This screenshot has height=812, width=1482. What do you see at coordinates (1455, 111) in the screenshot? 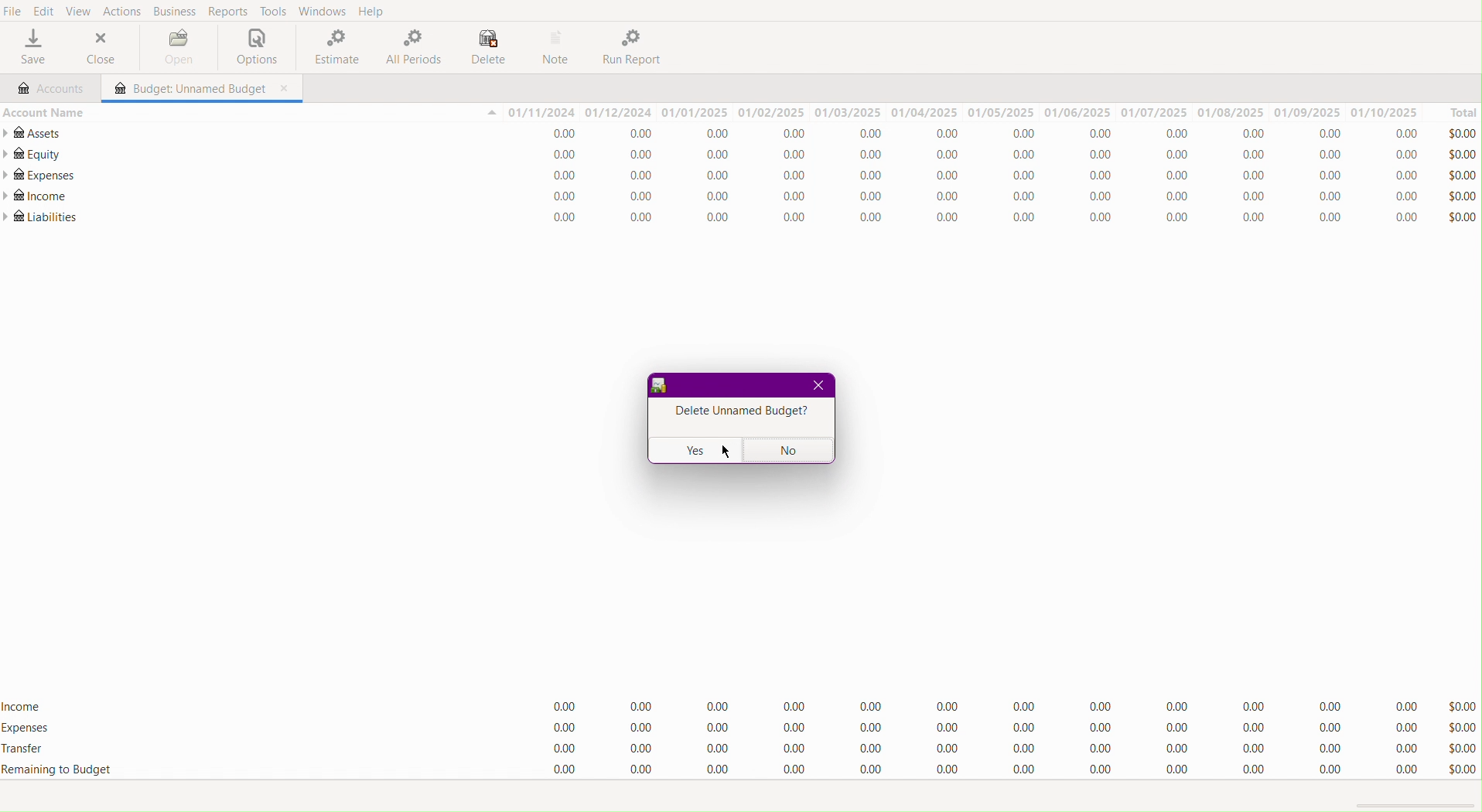
I see `Total` at bounding box center [1455, 111].